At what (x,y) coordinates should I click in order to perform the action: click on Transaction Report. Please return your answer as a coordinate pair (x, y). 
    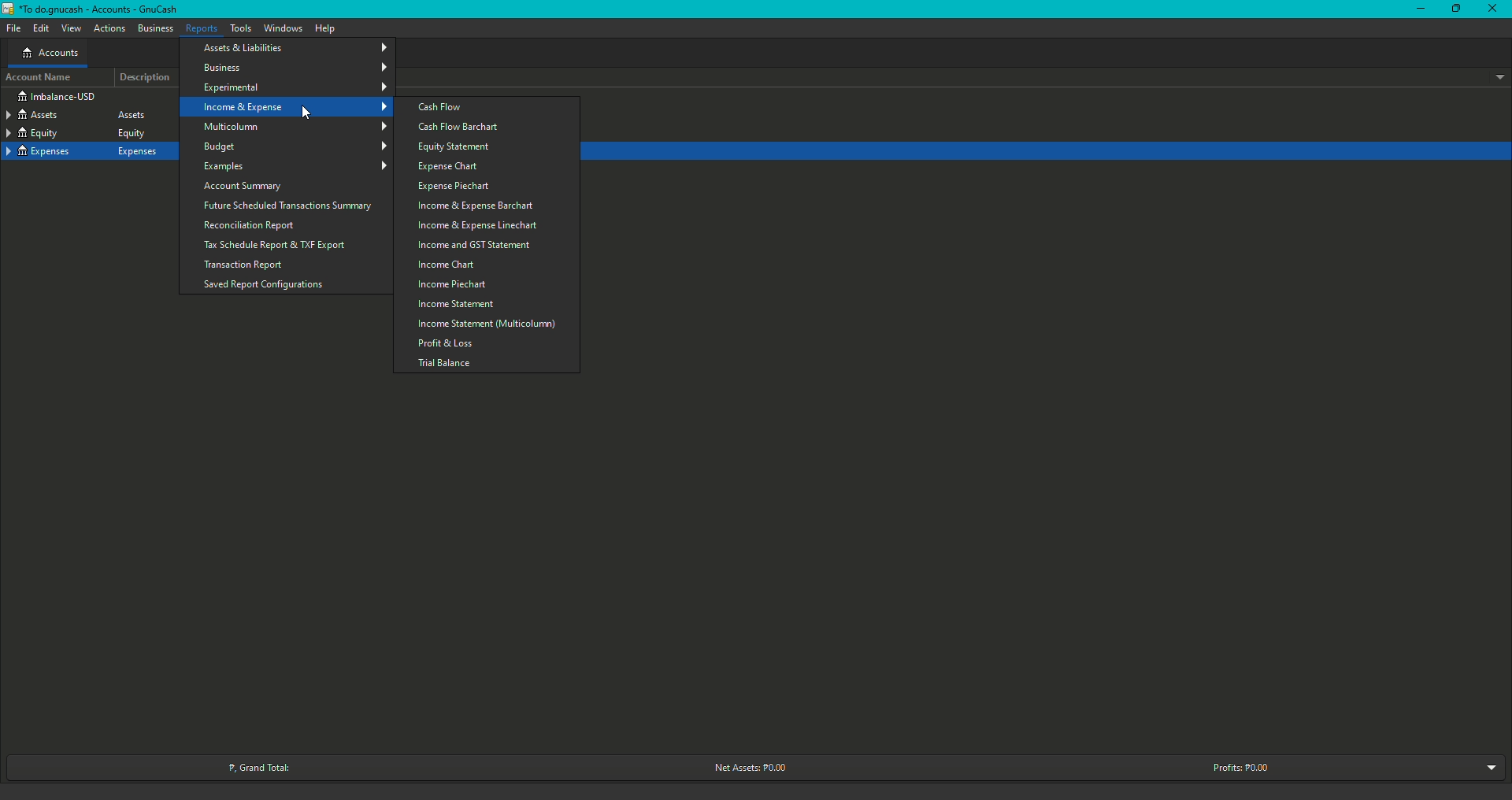
    Looking at the image, I should click on (244, 264).